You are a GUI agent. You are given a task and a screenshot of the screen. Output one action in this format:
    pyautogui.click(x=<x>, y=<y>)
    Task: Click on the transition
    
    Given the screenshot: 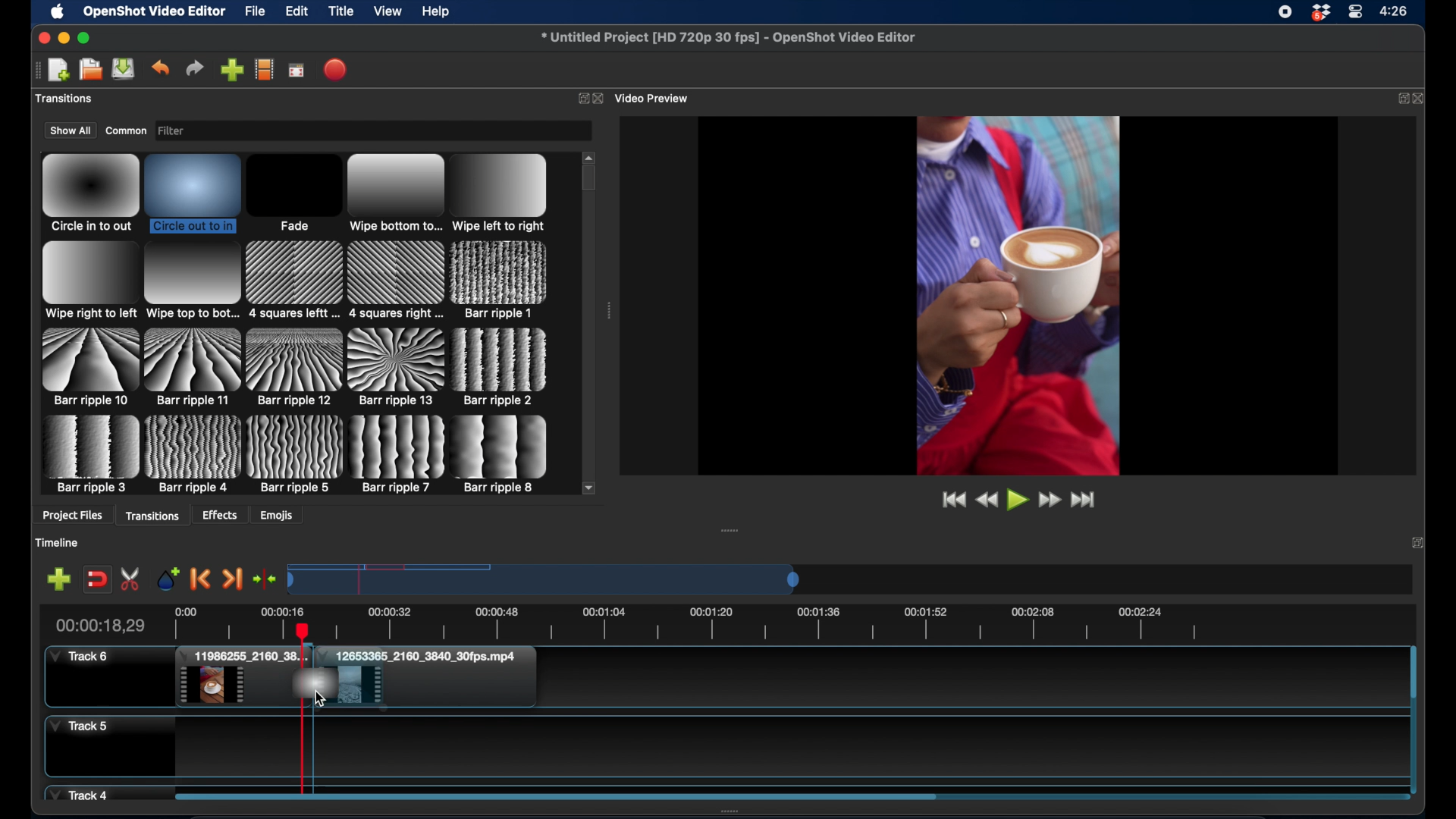 What is the action you would take?
    pyautogui.click(x=395, y=194)
    